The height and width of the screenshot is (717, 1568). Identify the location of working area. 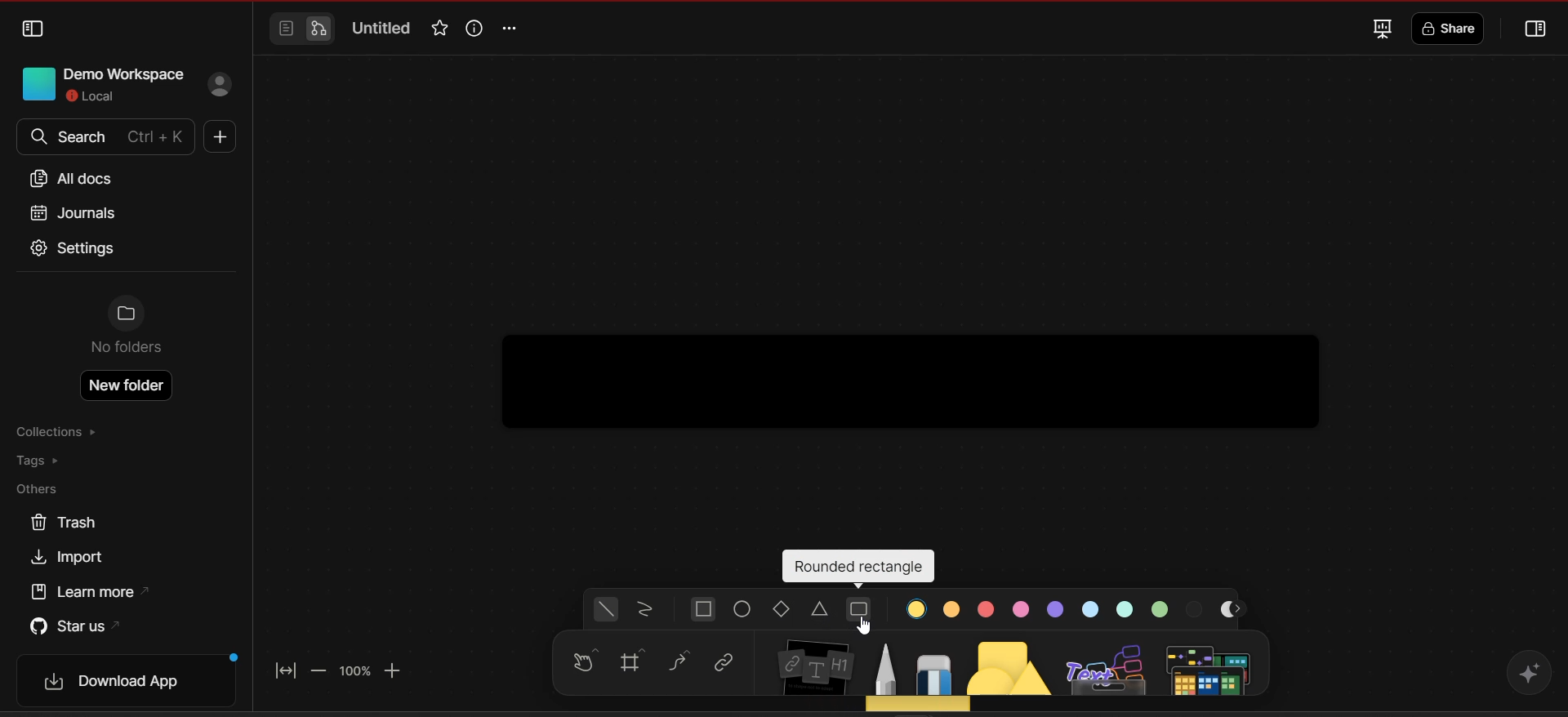
(910, 301).